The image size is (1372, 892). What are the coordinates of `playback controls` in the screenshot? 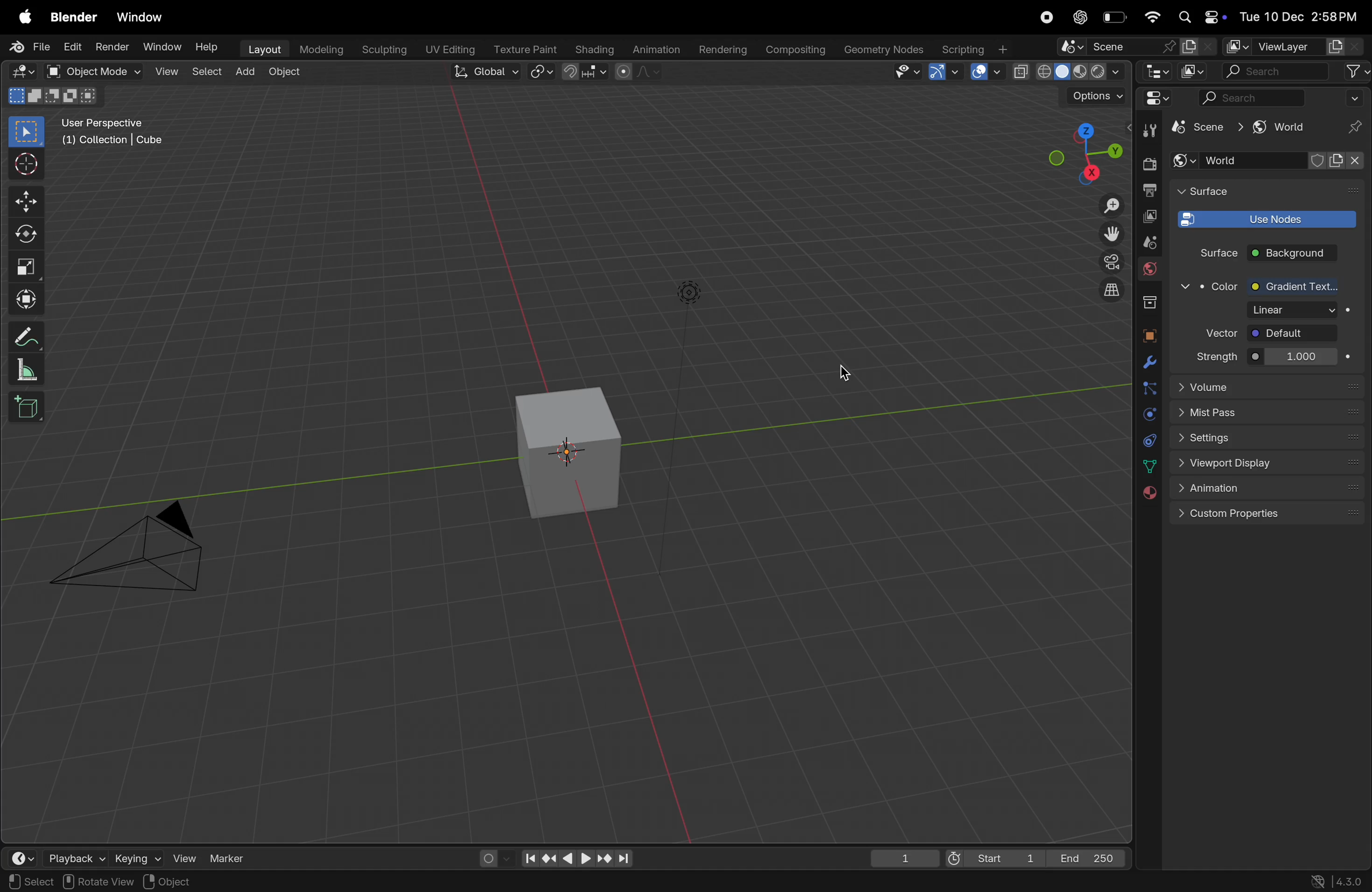 It's located at (573, 855).